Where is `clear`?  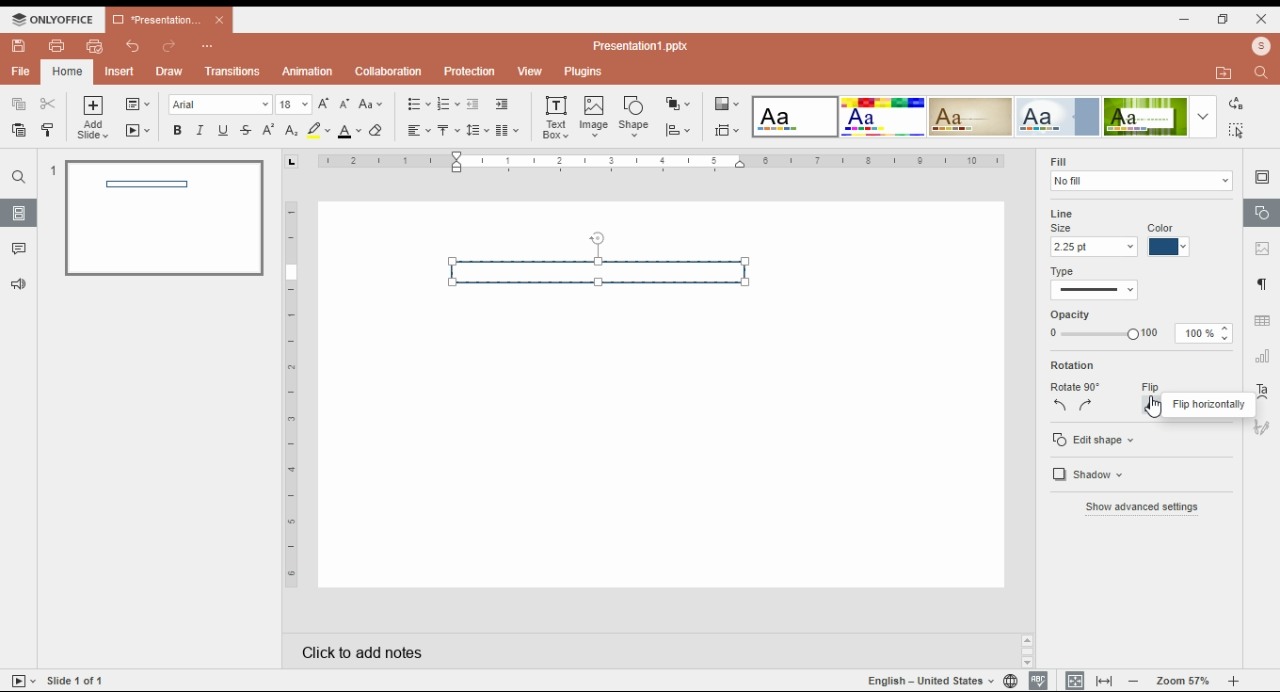
clear is located at coordinates (380, 130).